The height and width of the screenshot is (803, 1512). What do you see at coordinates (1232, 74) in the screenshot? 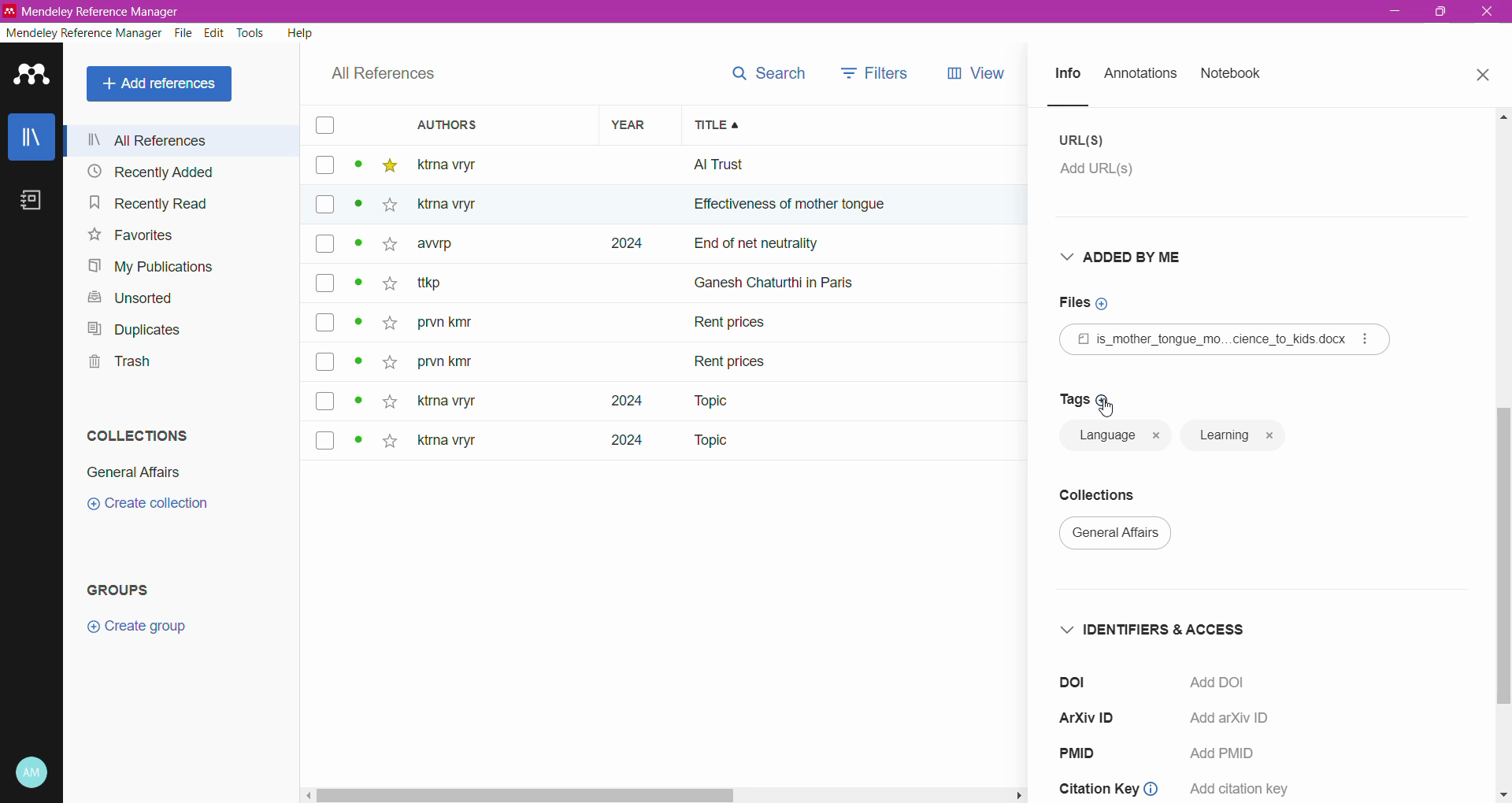
I see `Notebook` at bounding box center [1232, 74].